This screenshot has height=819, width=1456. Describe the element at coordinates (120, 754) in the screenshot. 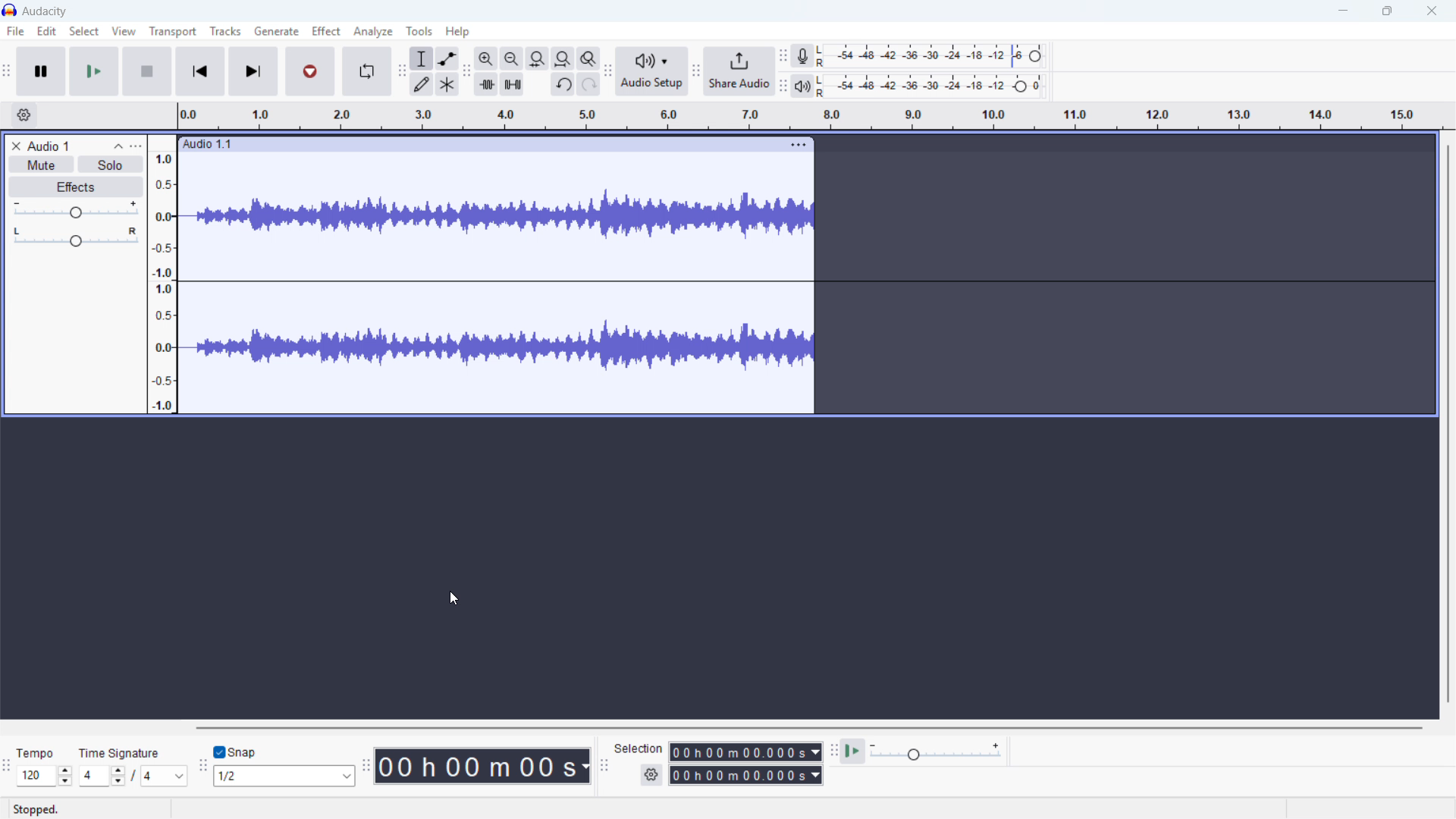

I see `time signature` at that location.